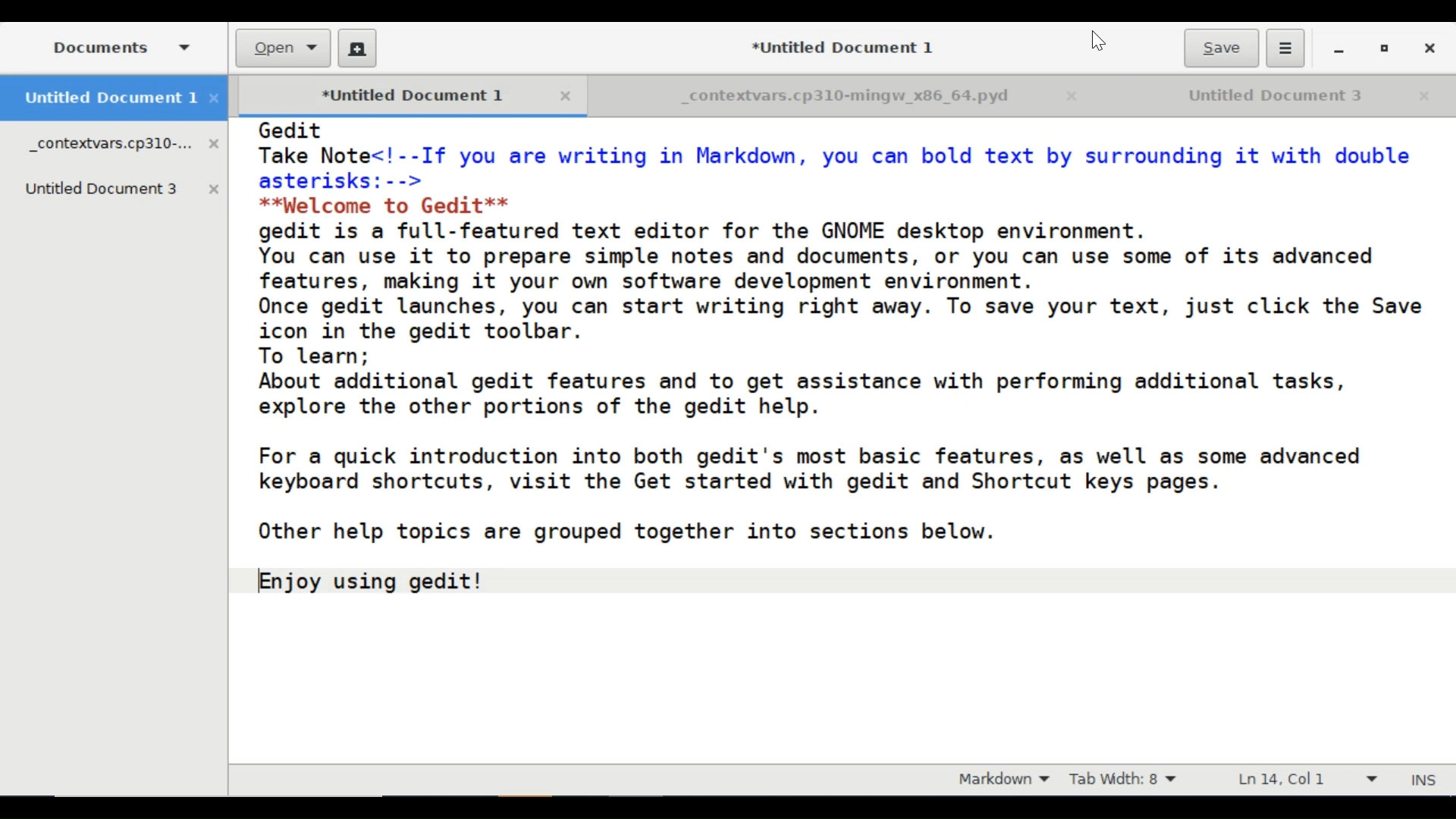  I want to click on restore, so click(1385, 51).